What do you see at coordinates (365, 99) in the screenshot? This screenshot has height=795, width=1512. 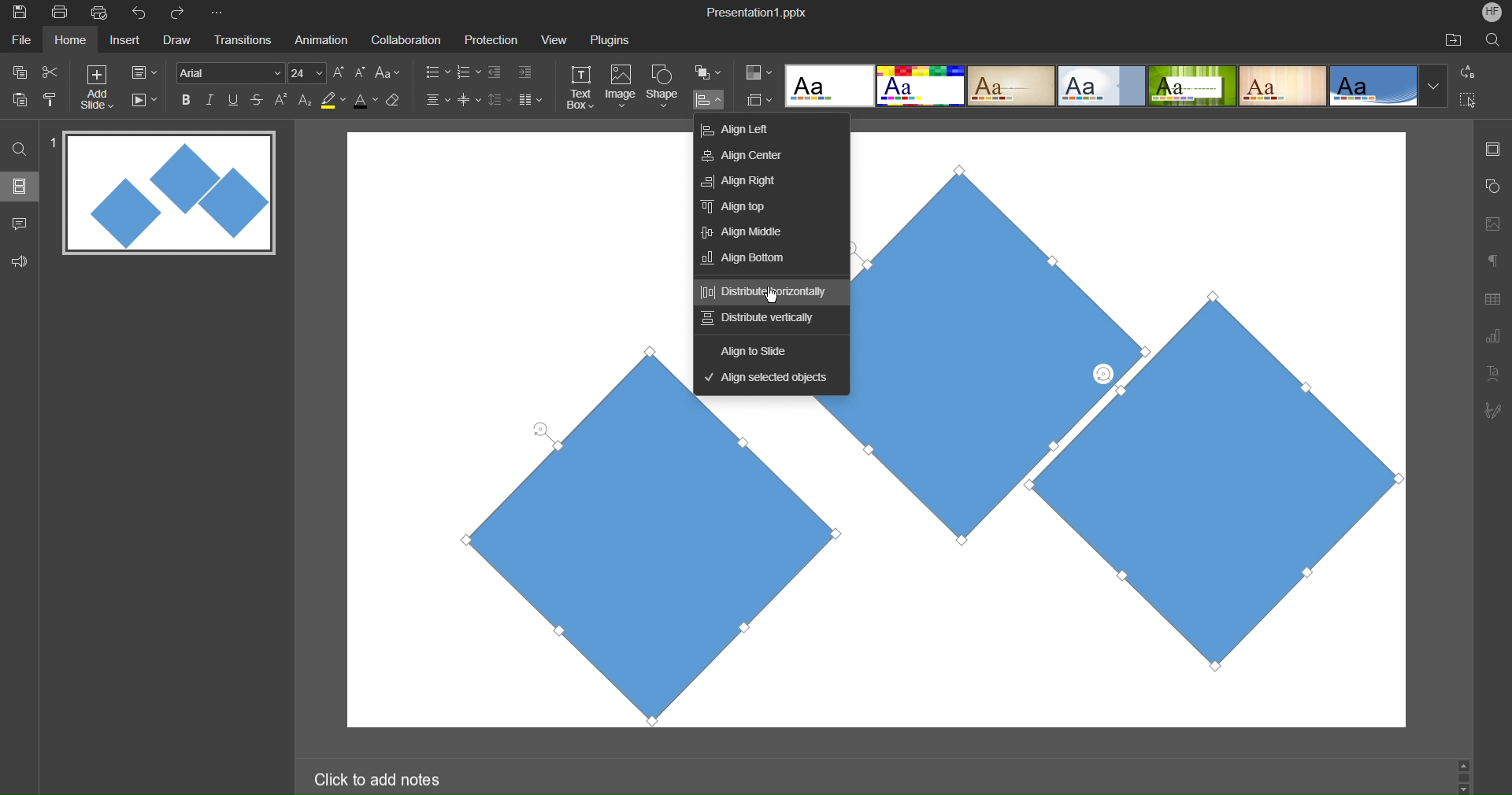 I see `Text Color` at bounding box center [365, 99].